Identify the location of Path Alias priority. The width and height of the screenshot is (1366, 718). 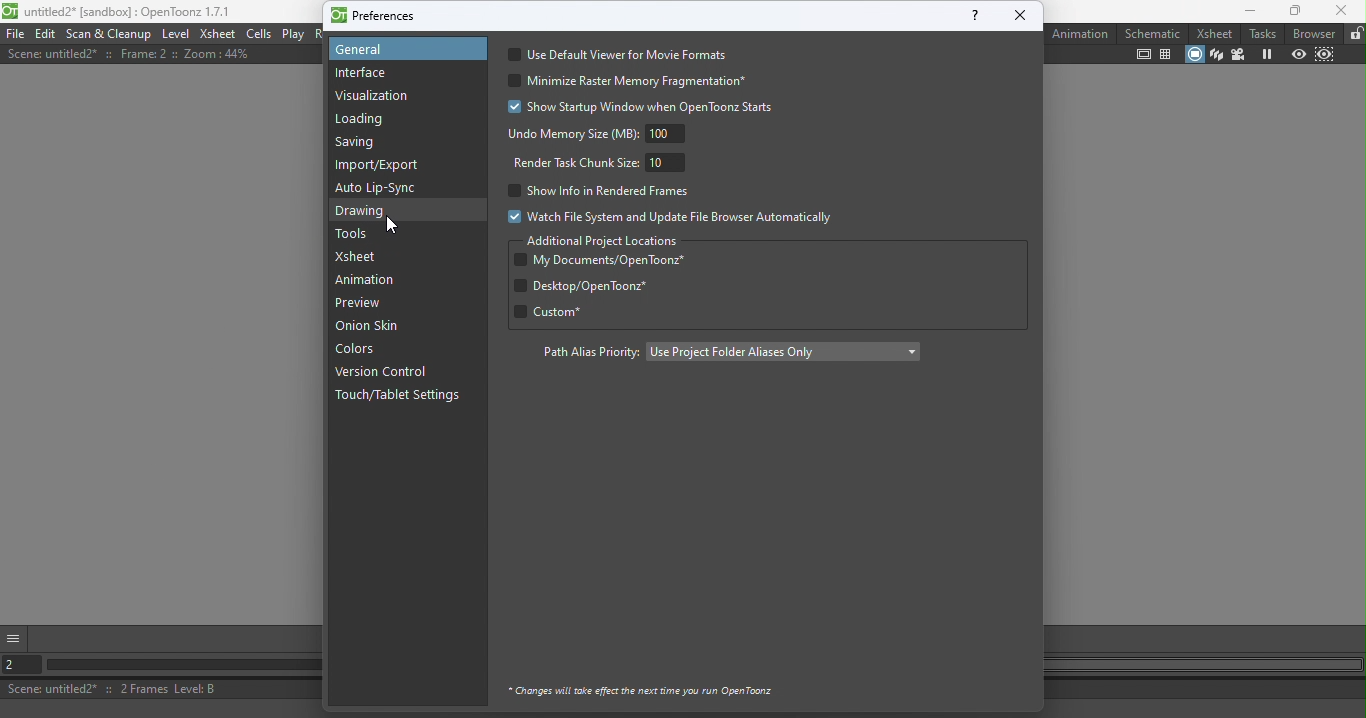
(584, 353).